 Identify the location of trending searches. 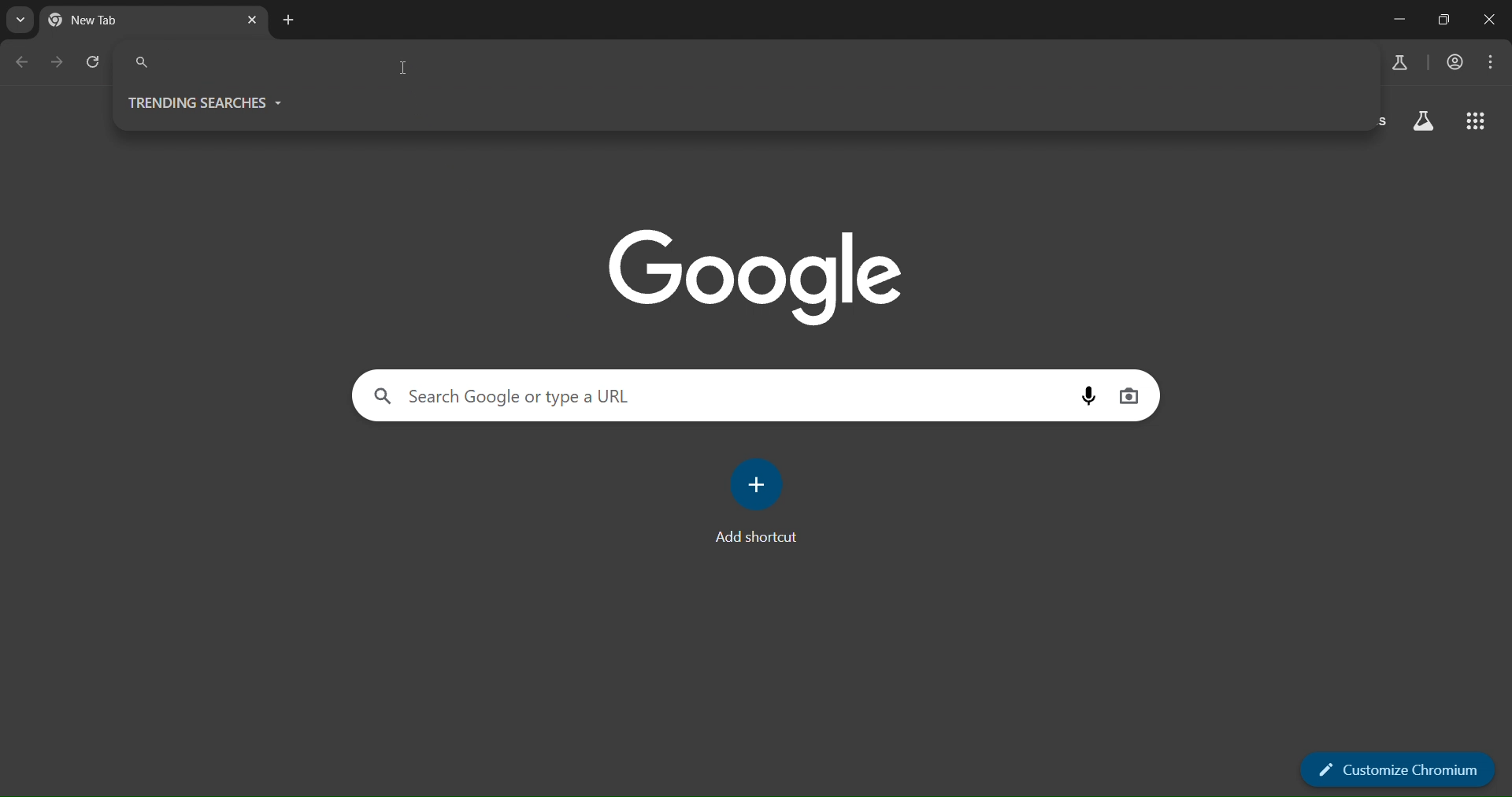
(205, 99).